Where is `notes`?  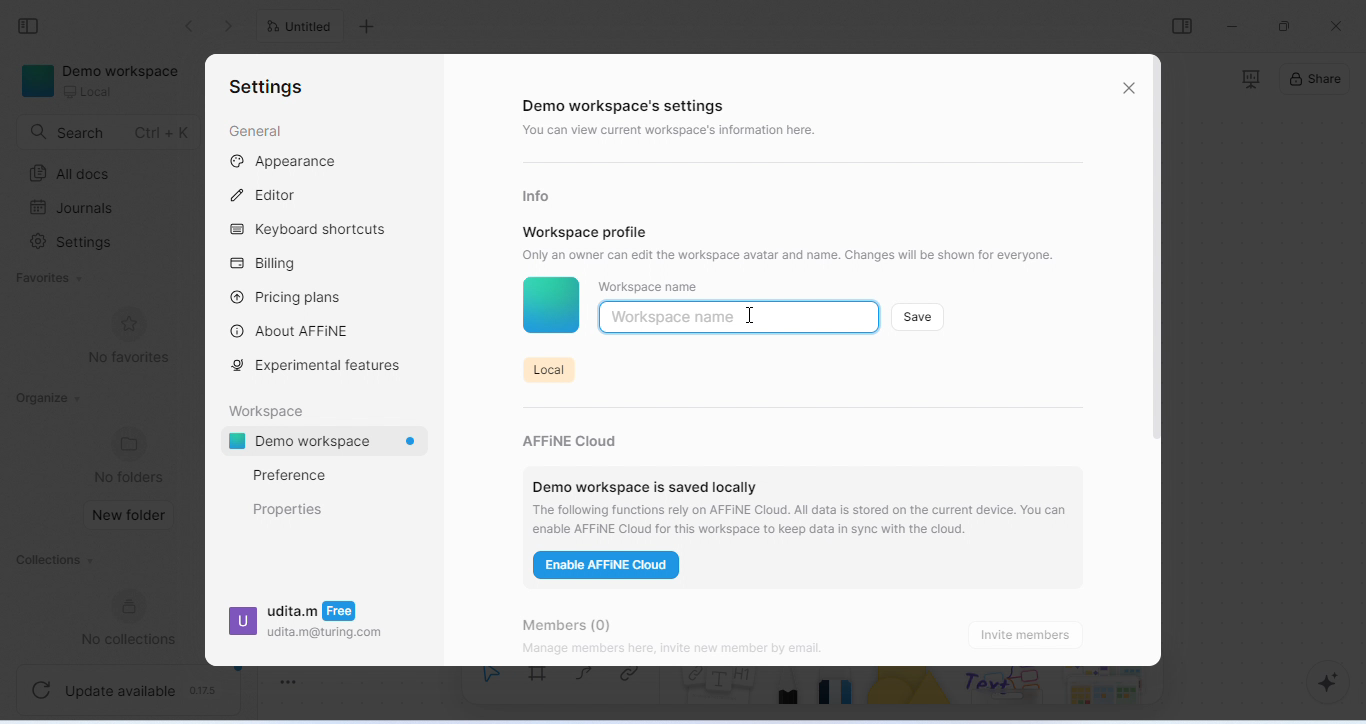 notes is located at coordinates (719, 695).